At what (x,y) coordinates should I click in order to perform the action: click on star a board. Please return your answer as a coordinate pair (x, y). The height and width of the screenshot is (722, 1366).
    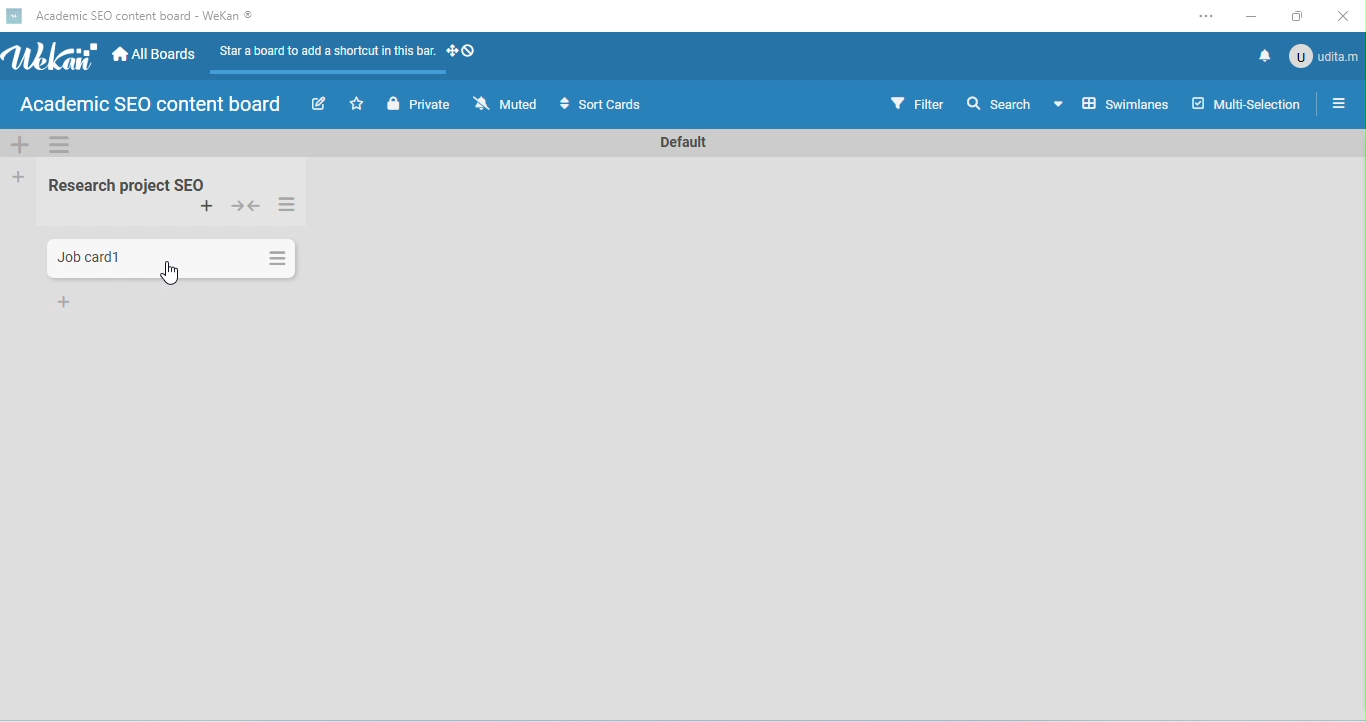
    Looking at the image, I should click on (359, 104).